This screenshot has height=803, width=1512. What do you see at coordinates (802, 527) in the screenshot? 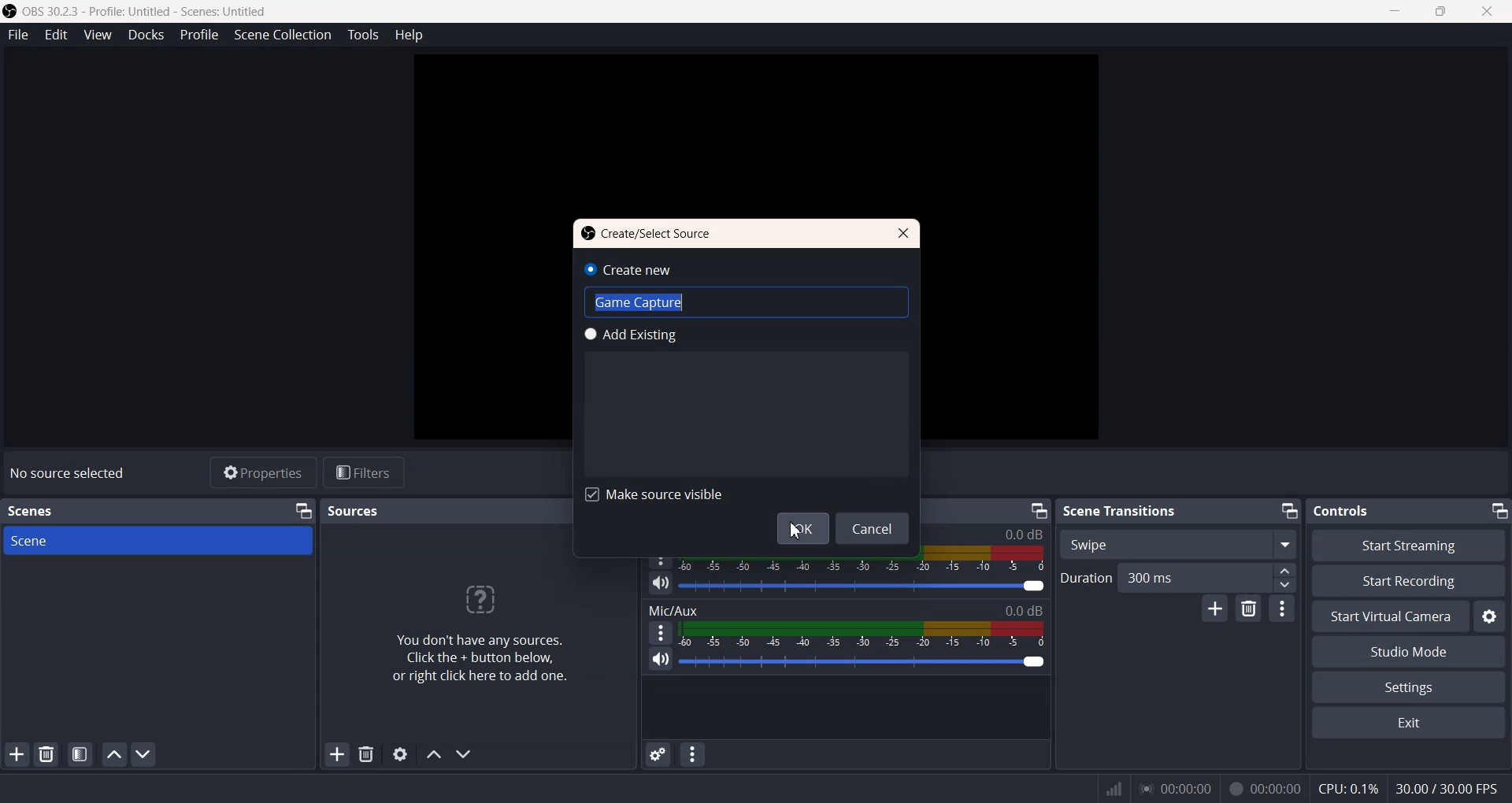
I see `Ok` at bounding box center [802, 527].